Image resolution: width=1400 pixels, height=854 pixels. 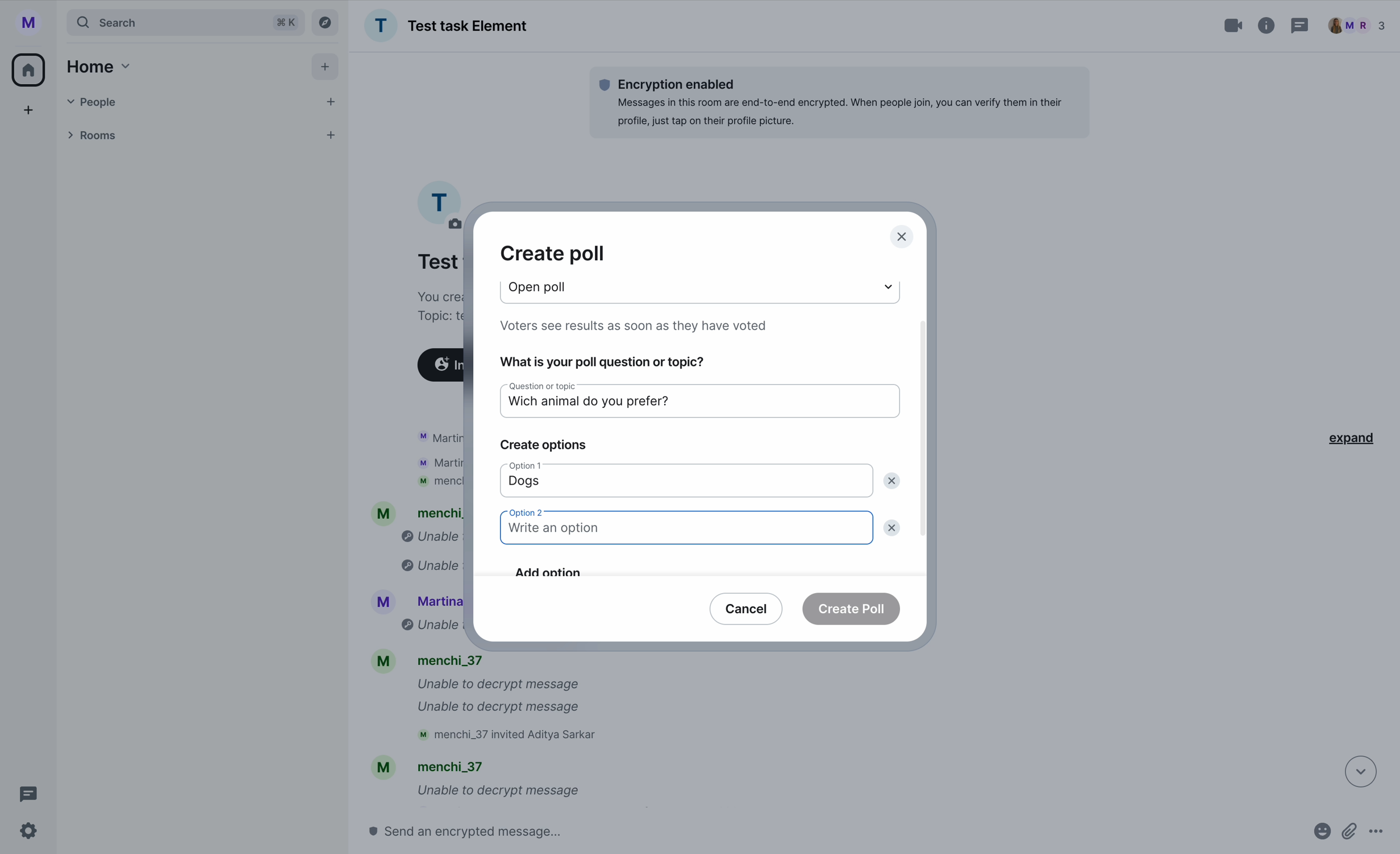 What do you see at coordinates (446, 26) in the screenshot?
I see `Test task Element` at bounding box center [446, 26].